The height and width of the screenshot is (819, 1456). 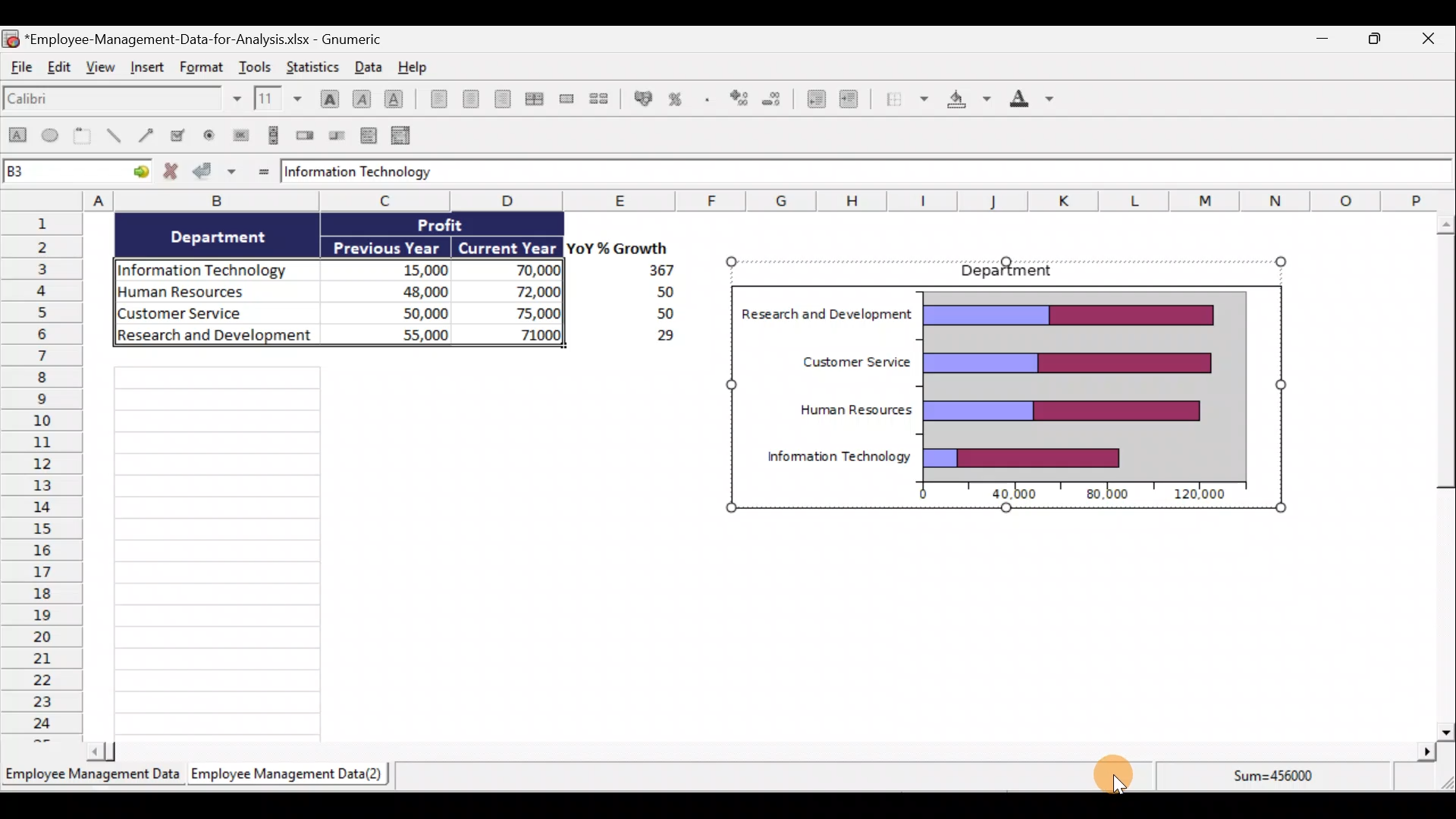 What do you see at coordinates (1321, 40) in the screenshot?
I see `Minimize` at bounding box center [1321, 40].